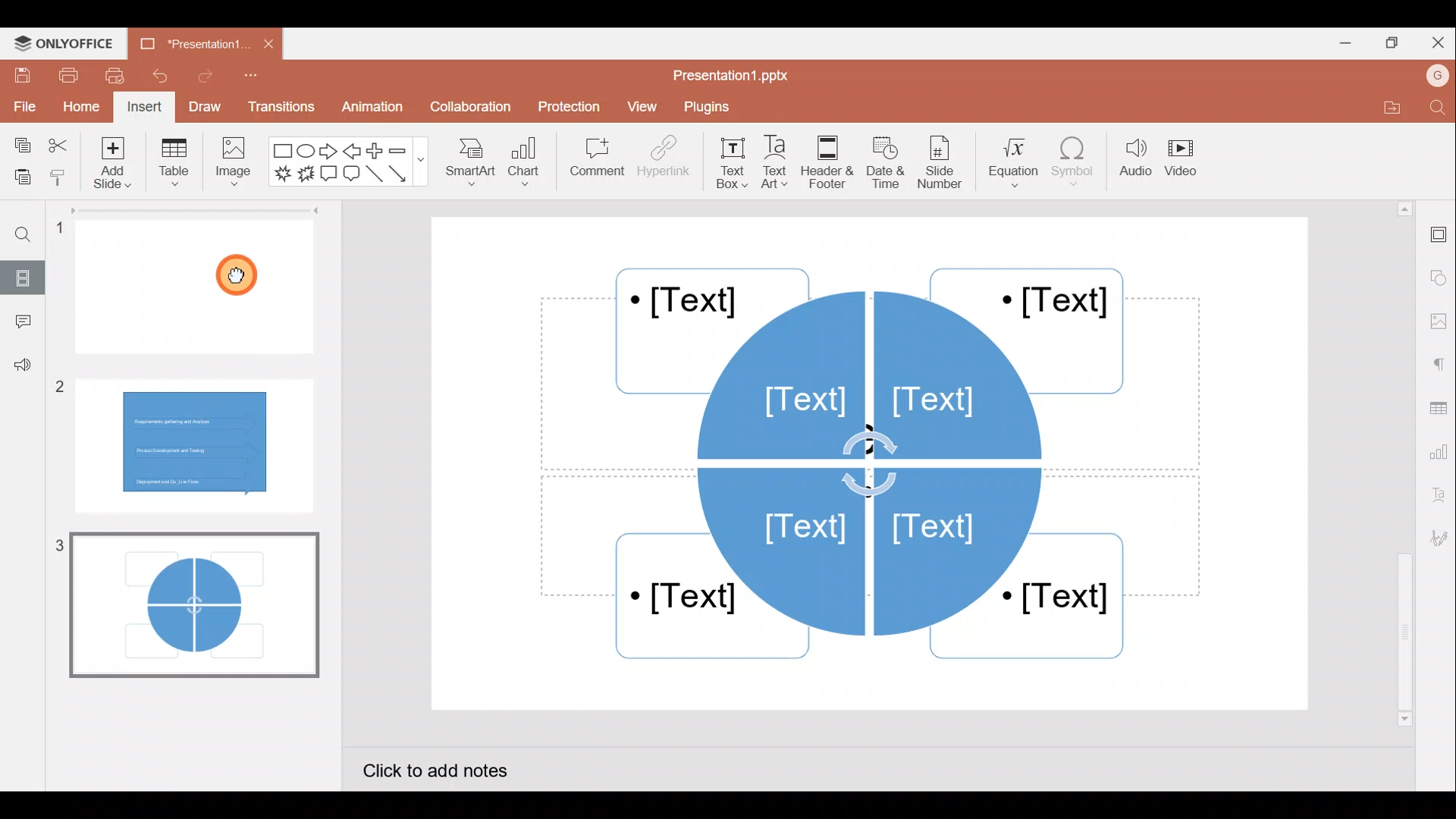 The image size is (1456, 819). What do you see at coordinates (1437, 318) in the screenshot?
I see `Image settings` at bounding box center [1437, 318].